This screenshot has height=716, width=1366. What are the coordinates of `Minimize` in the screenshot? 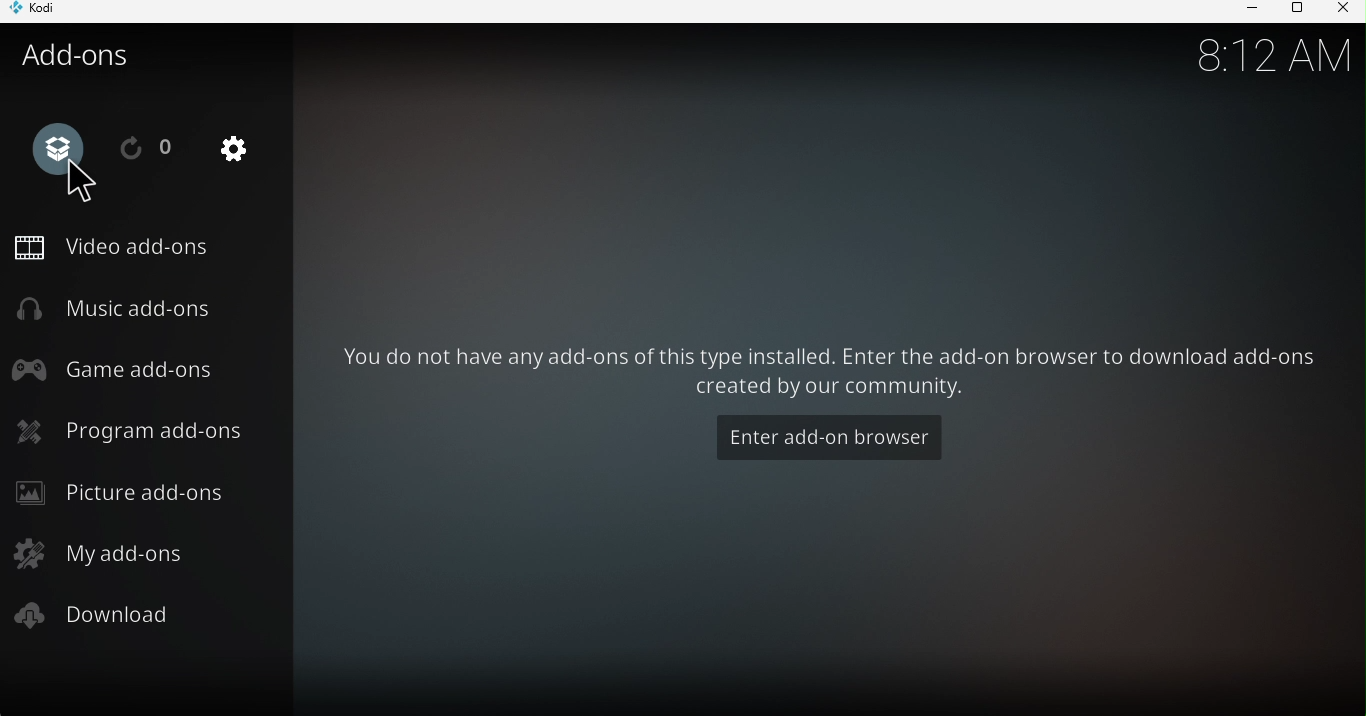 It's located at (1246, 11).